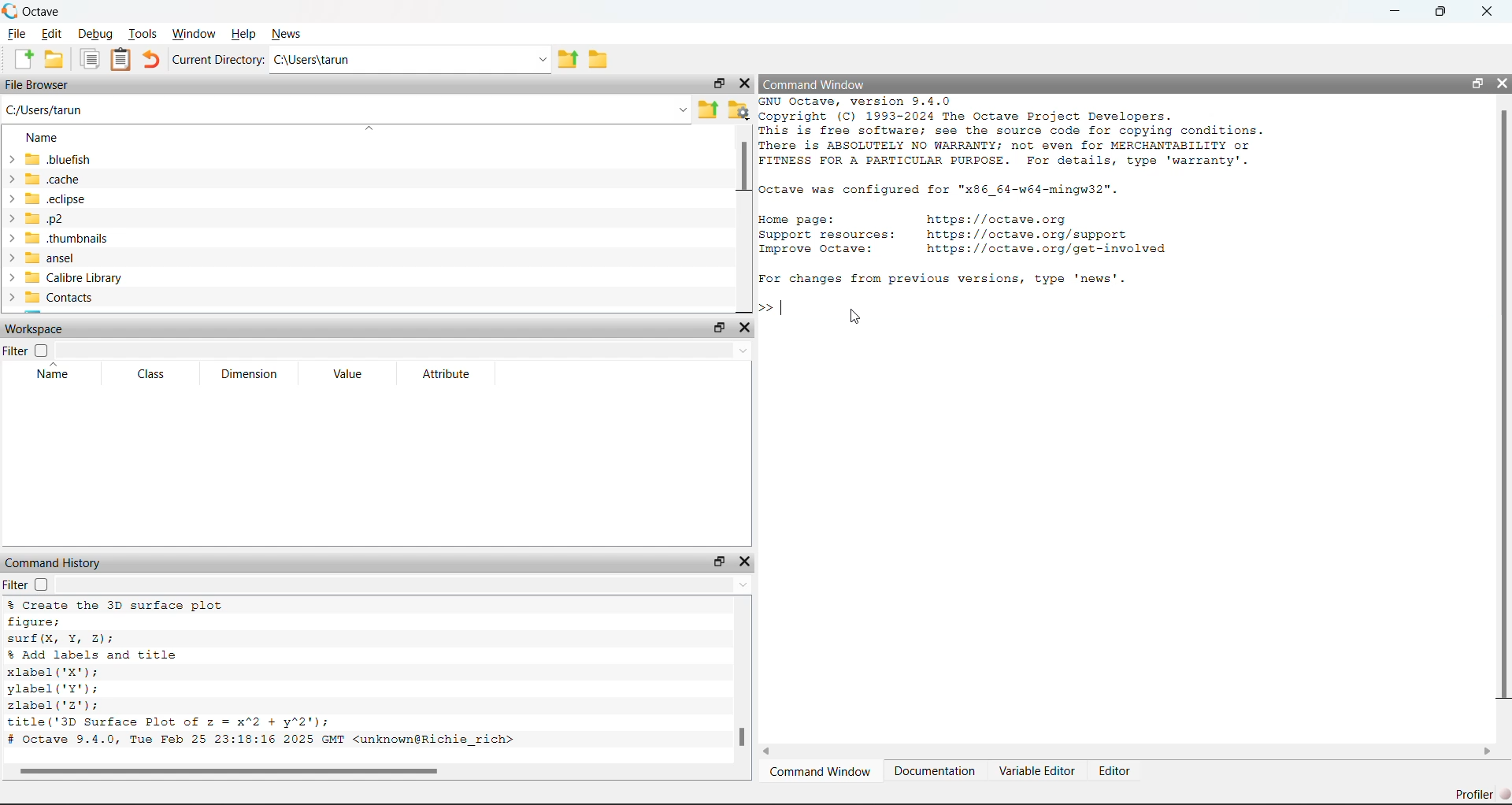 The width and height of the screenshot is (1512, 805). What do you see at coordinates (95, 33) in the screenshot?
I see `Debug` at bounding box center [95, 33].